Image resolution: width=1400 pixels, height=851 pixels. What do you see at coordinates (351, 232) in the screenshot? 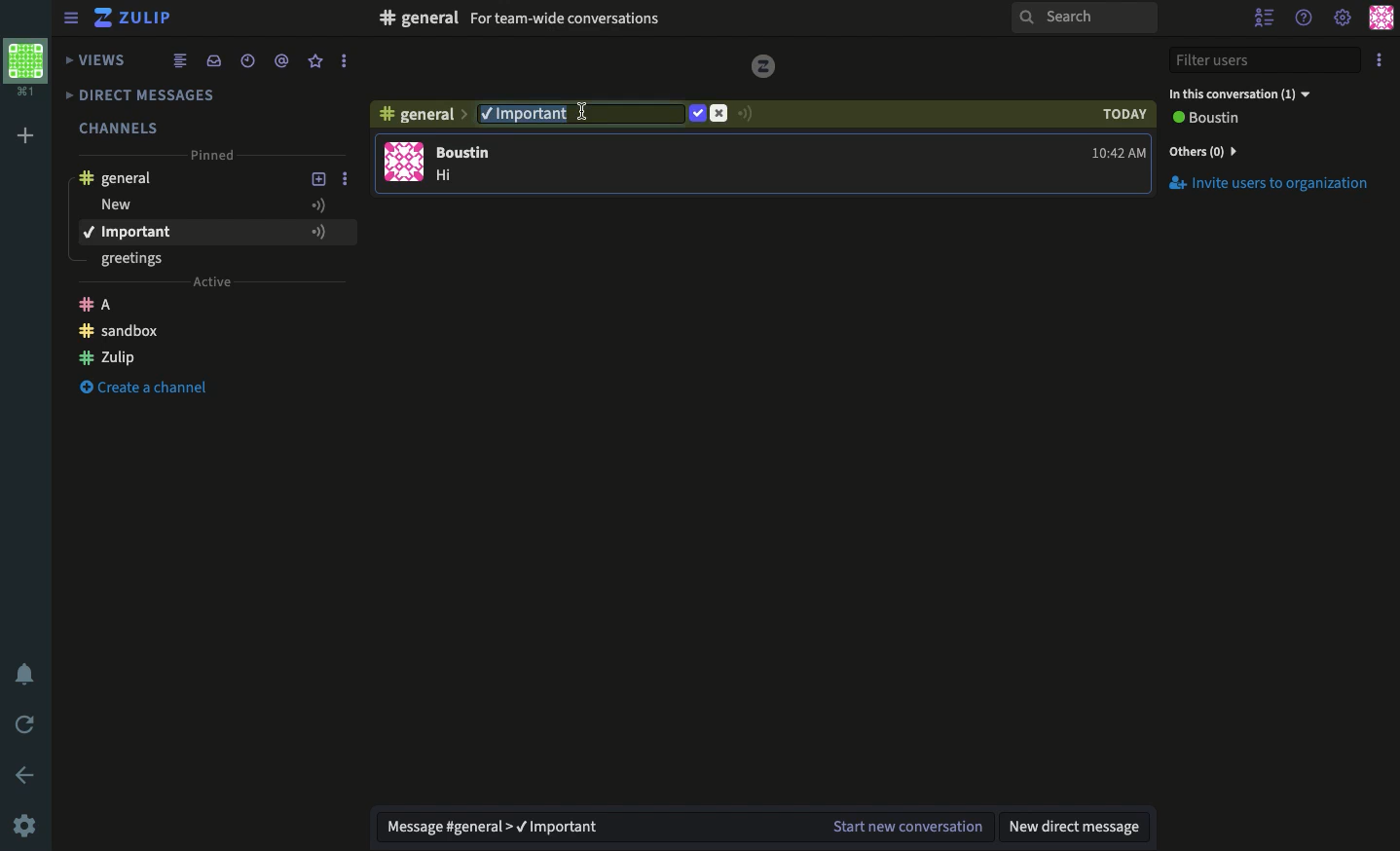
I see `More Options` at bounding box center [351, 232].